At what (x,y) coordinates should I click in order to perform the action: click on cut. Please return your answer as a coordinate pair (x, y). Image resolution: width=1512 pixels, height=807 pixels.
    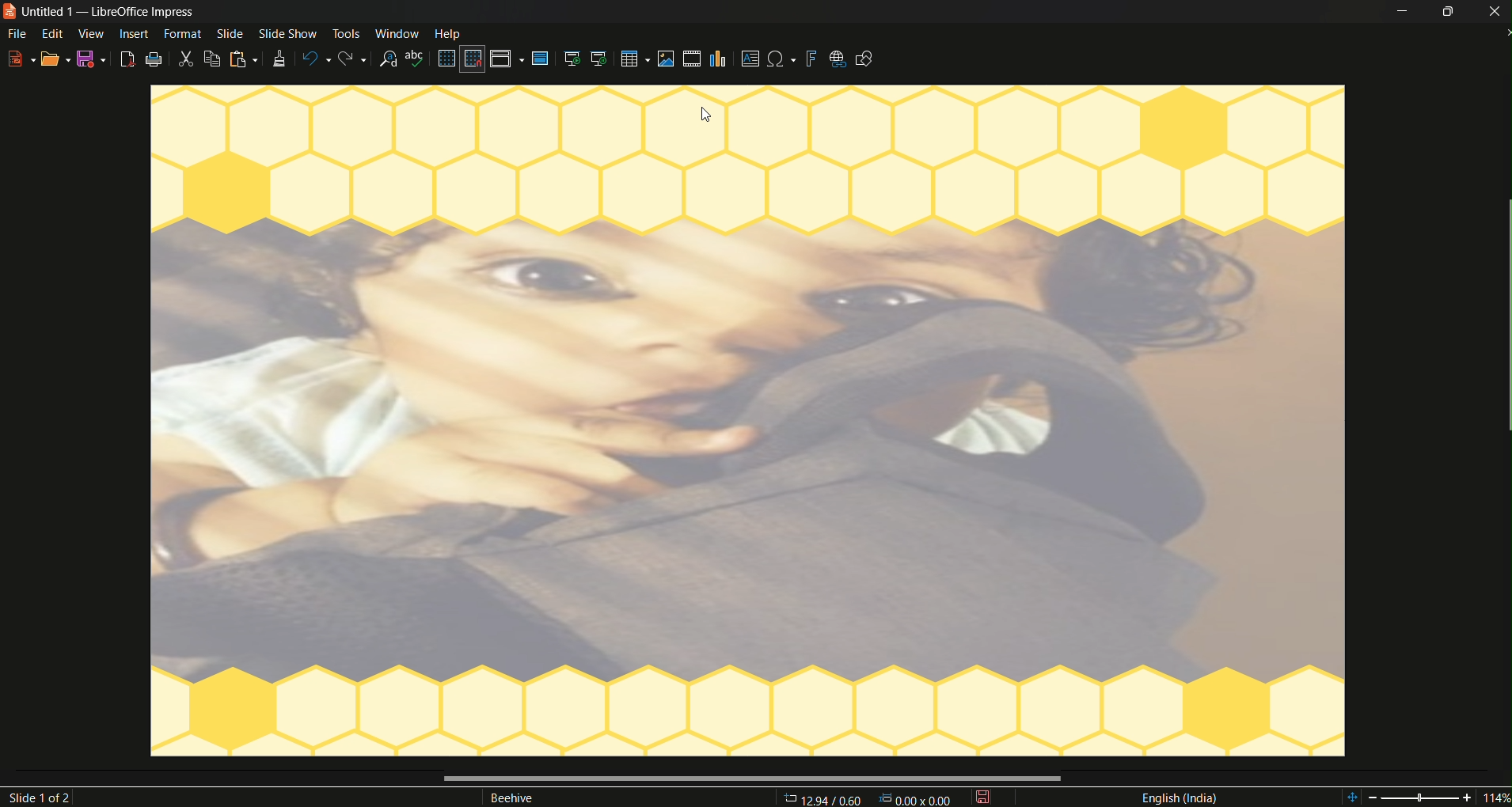
    Looking at the image, I should click on (187, 59).